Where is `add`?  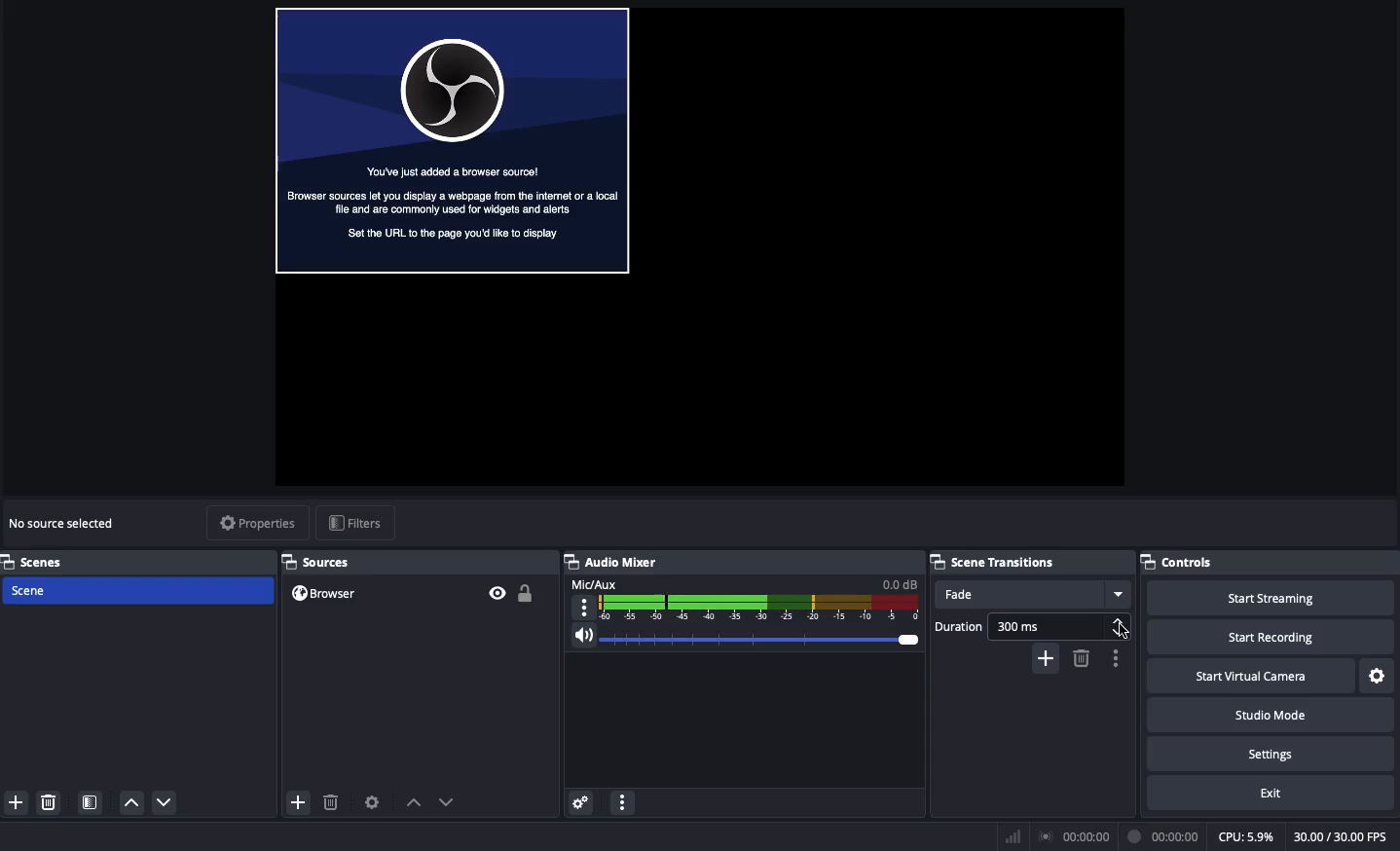 add is located at coordinates (1046, 657).